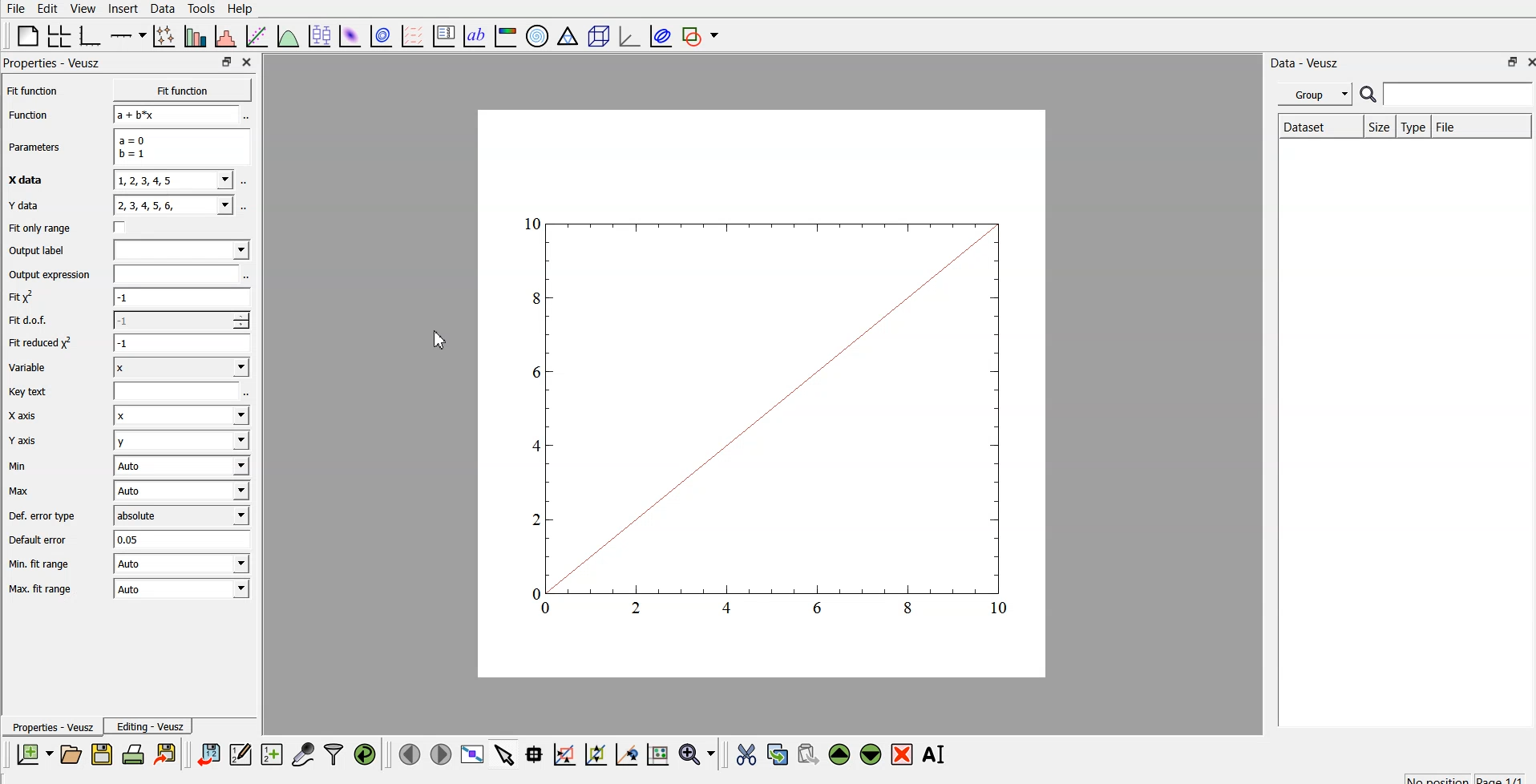 Image resolution: width=1536 pixels, height=784 pixels. Describe the element at coordinates (81, 8) in the screenshot. I see `view` at that location.